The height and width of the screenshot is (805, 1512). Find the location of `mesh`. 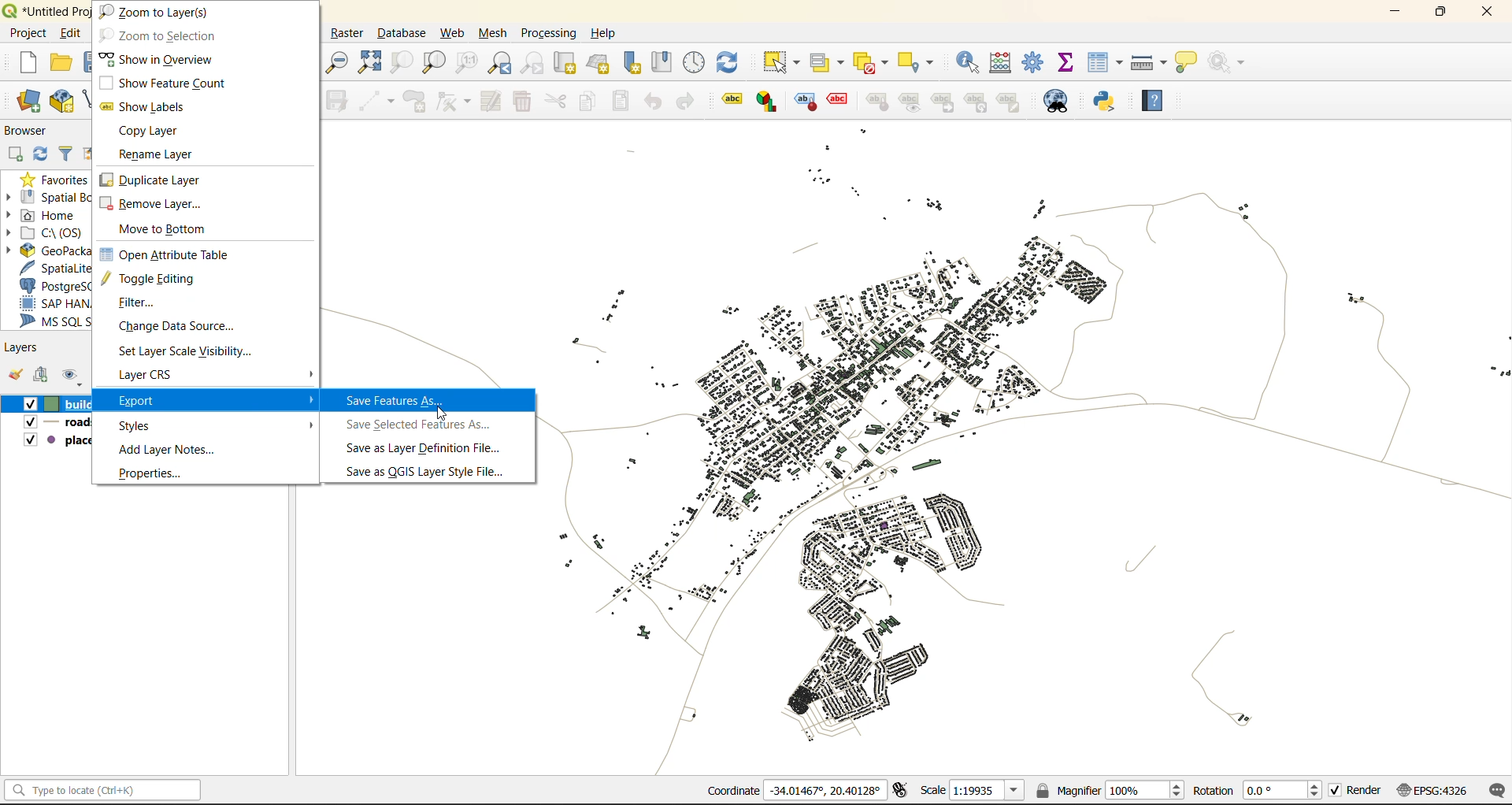

mesh is located at coordinates (493, 33).